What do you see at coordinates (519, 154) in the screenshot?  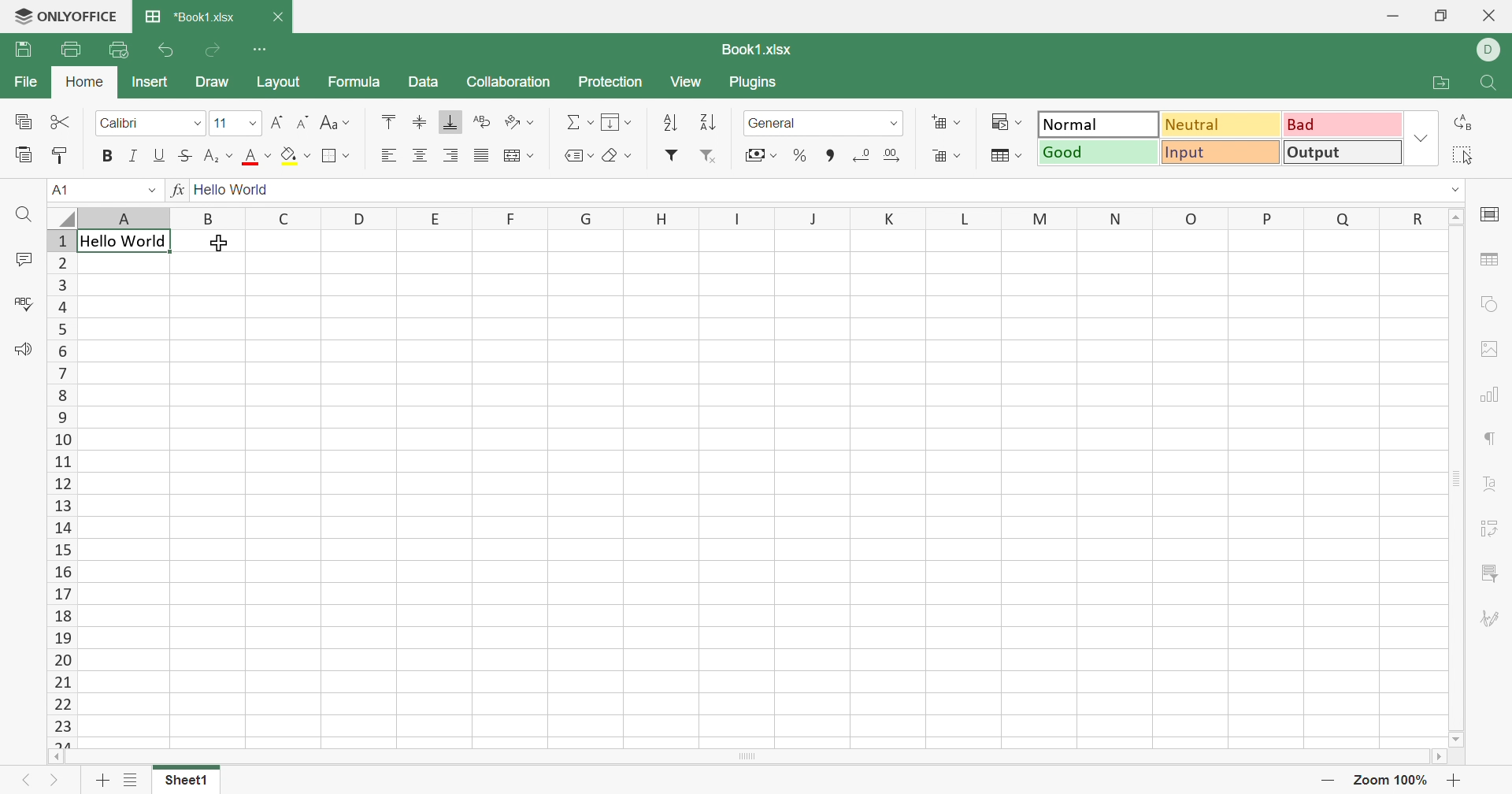 I see `Merged center` at bounding box center [519, 154].